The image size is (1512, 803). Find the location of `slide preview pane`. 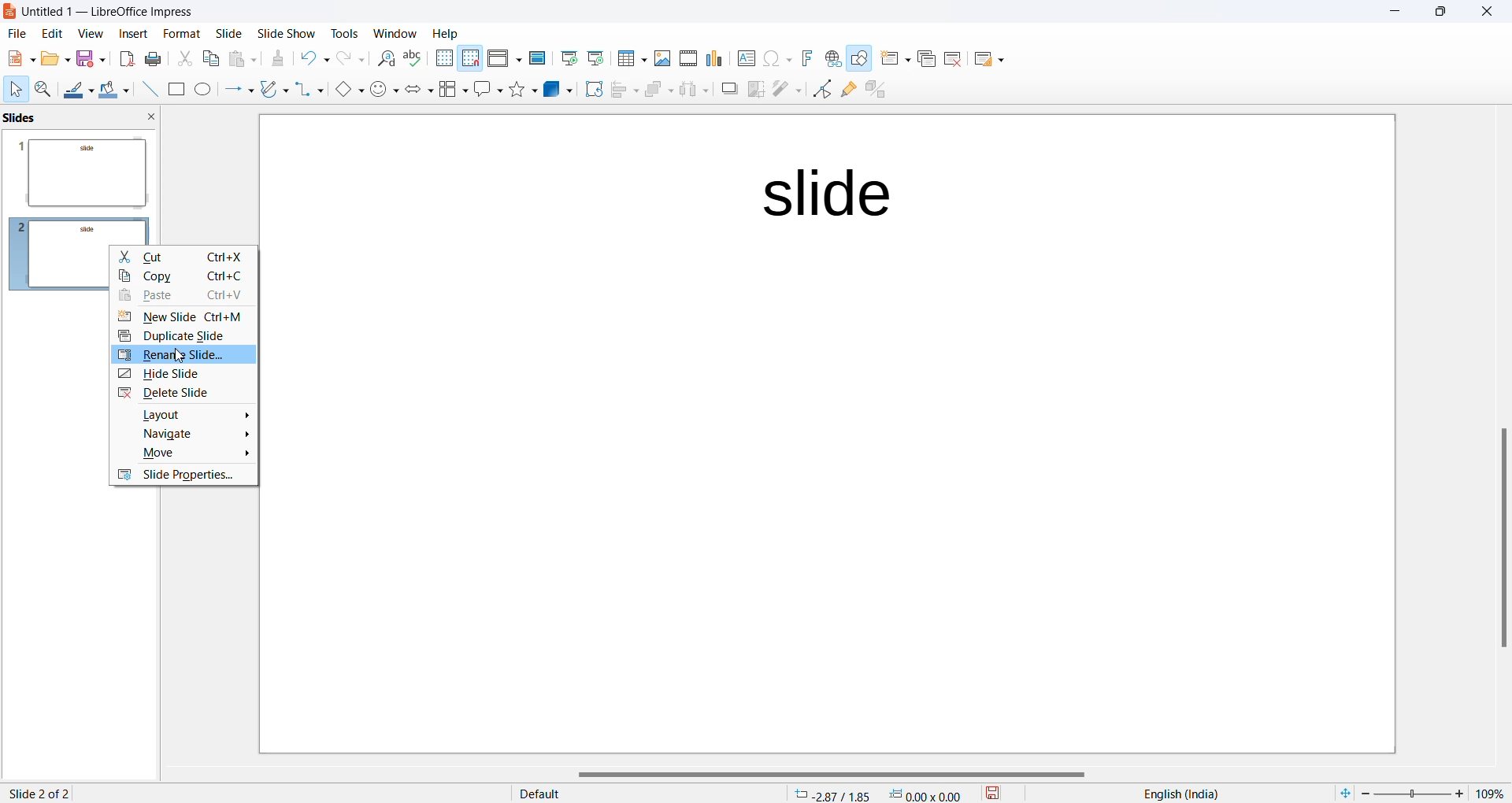

slide preview pane is located at coordinates (31, 117).